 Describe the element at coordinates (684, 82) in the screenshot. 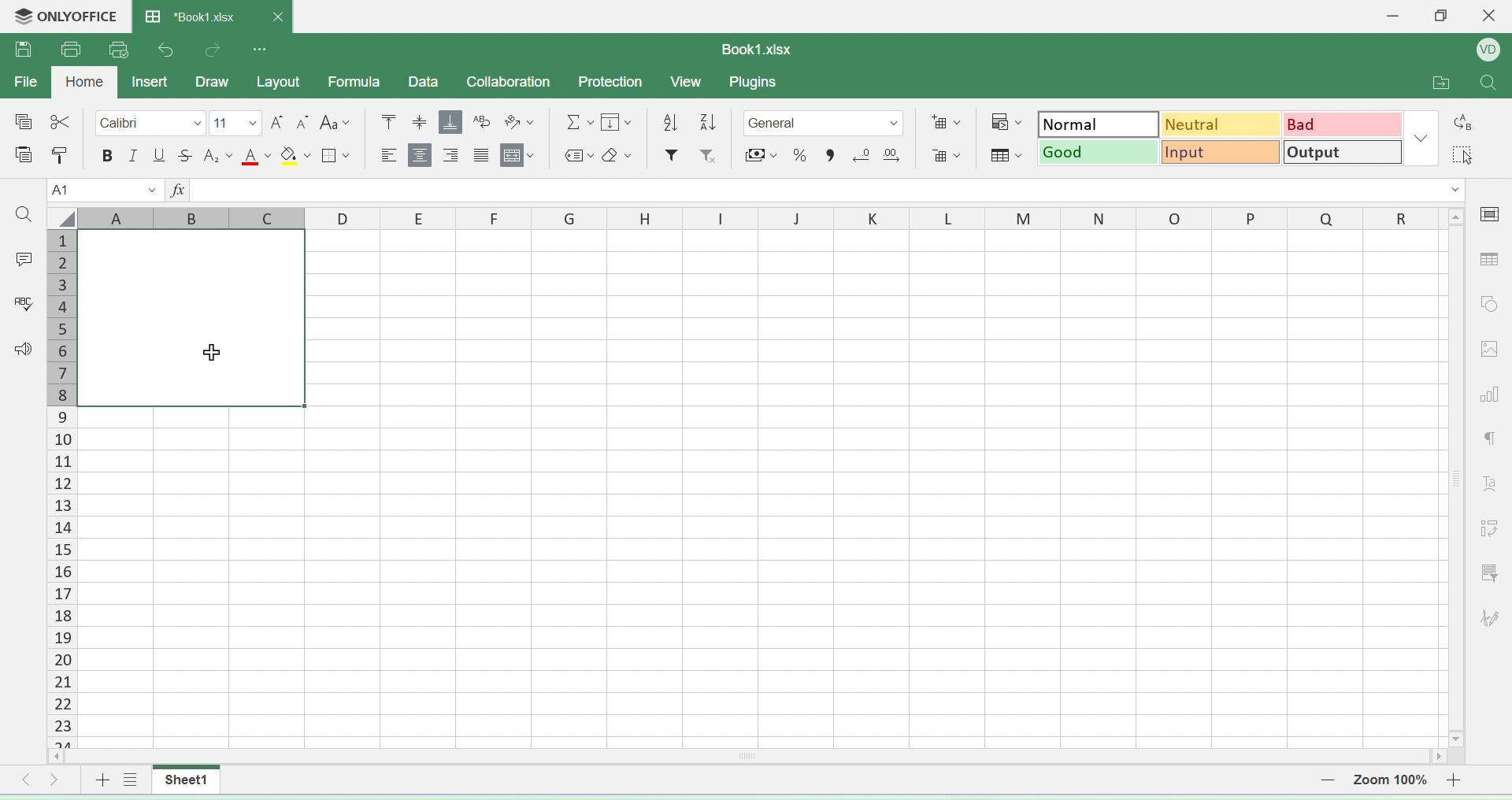

I see `view` at that location.